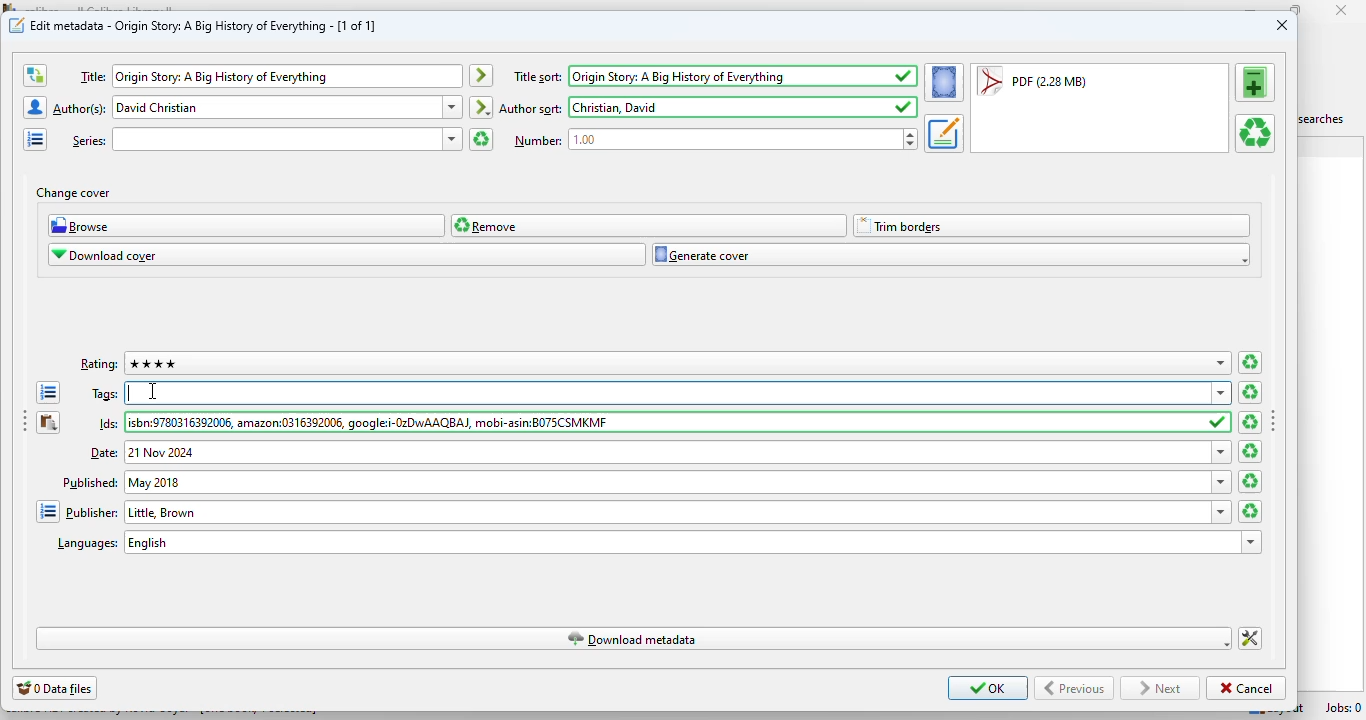  Describe the element at coordinates (944, 82) in the screenshot. I see `set the cover for the book from the current format` at that location.